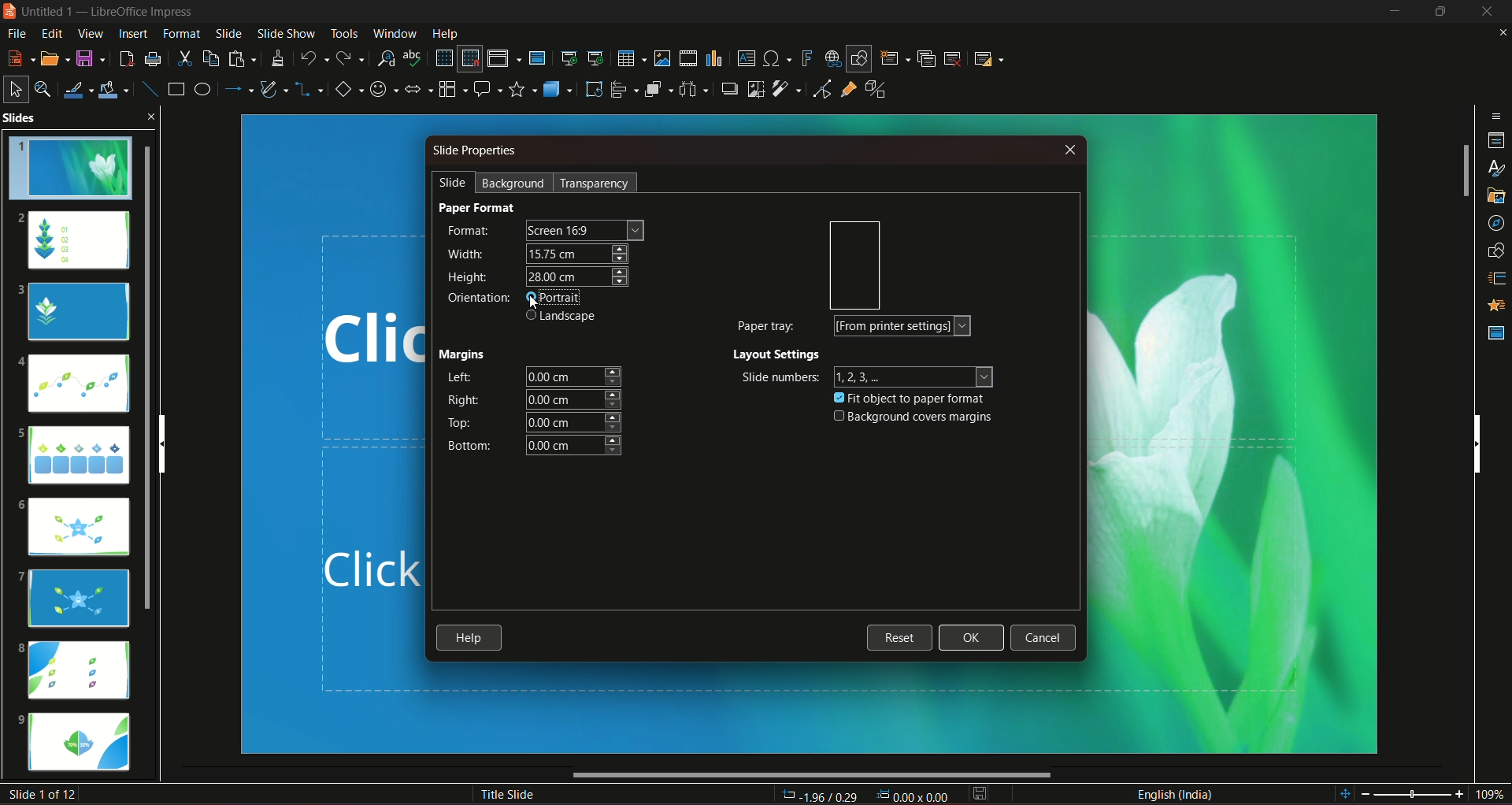 The width and height of the screenshot is (1512, 805). What do you see at coordinates (903, 326) in the screenshot?
I see `form printer settings` at bounding box center [903, 326].